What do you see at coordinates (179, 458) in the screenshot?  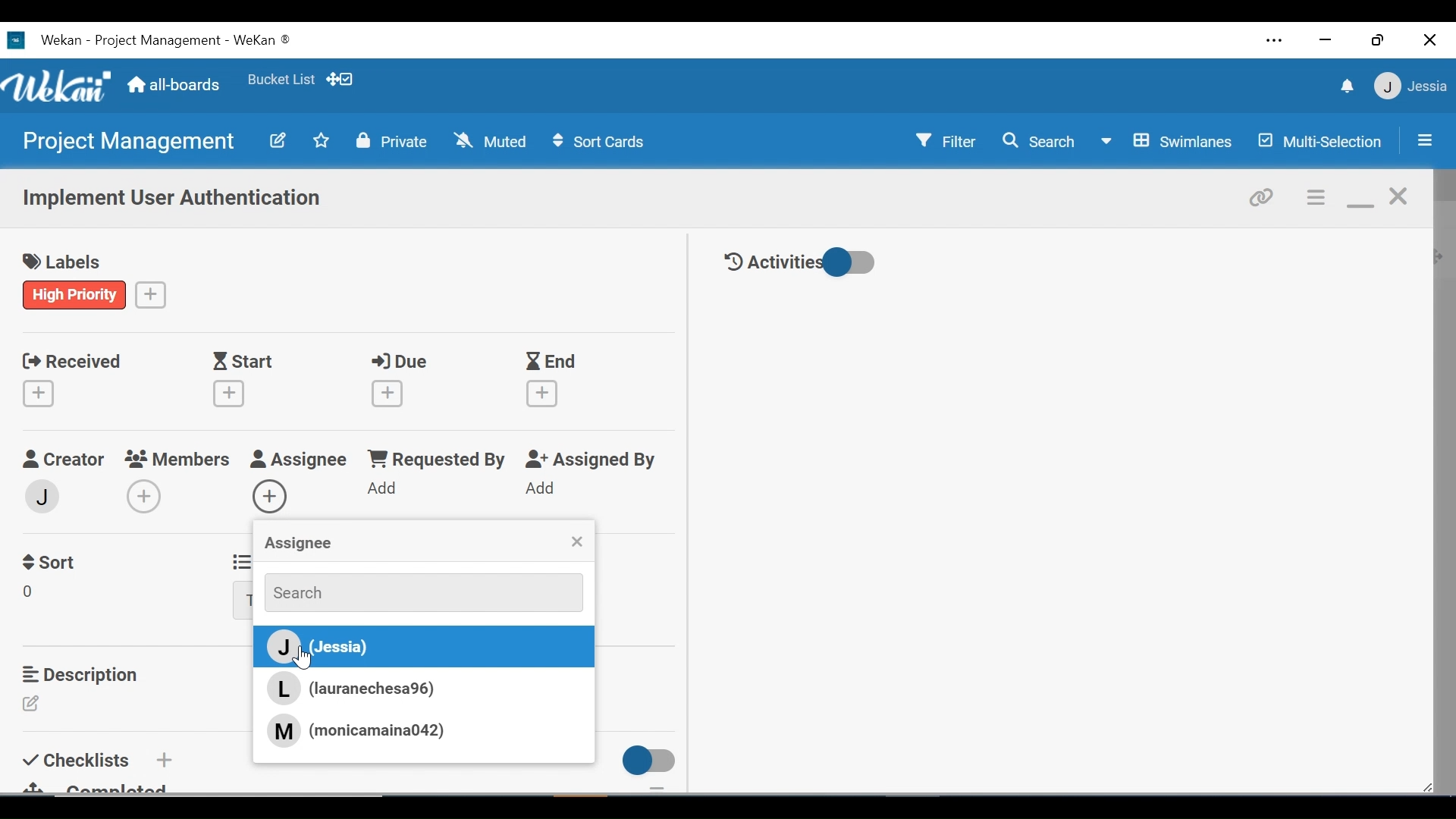 I see `Members` at bounding box center [179, 458].